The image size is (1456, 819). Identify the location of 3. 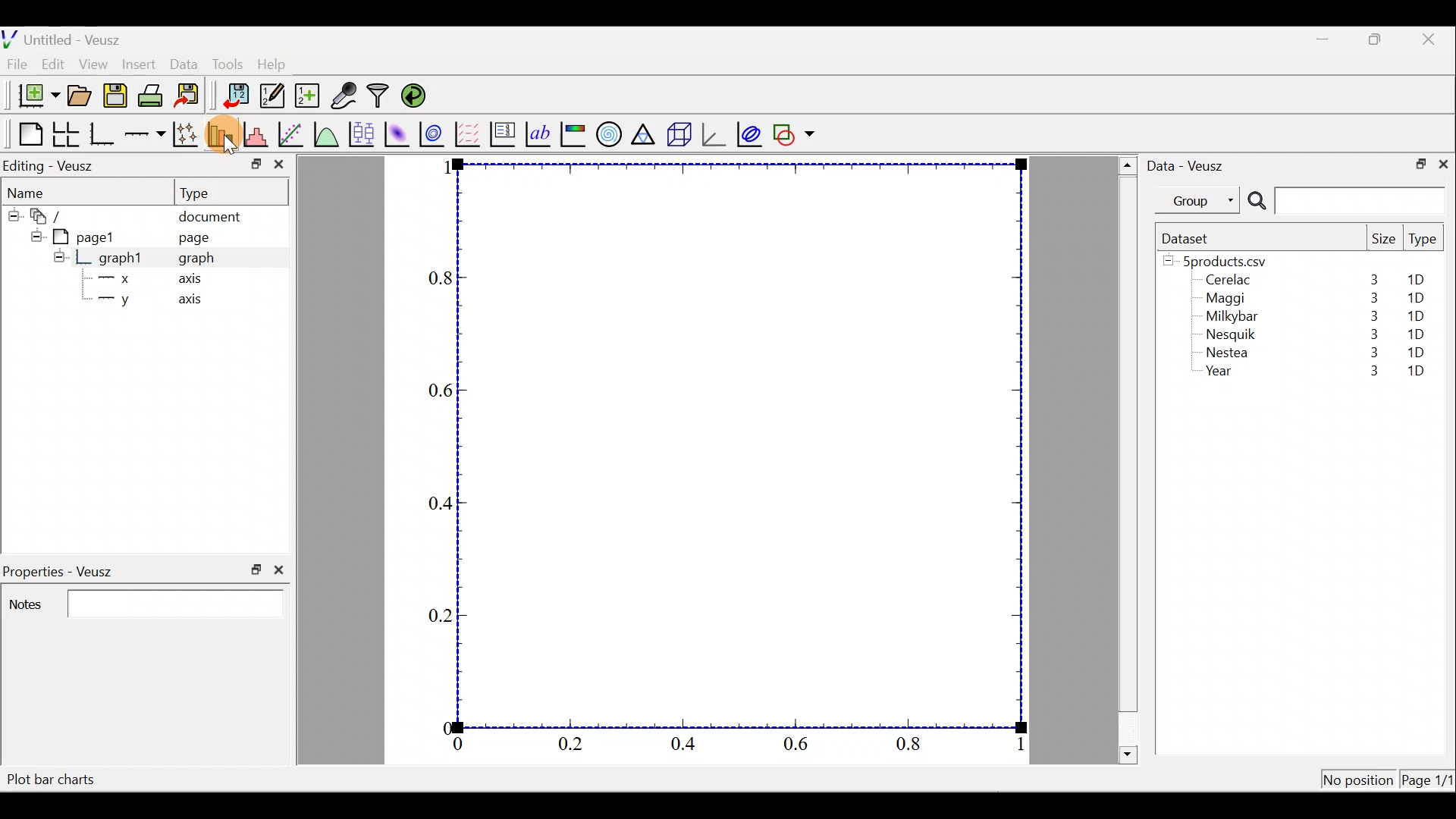
(1371, 316).